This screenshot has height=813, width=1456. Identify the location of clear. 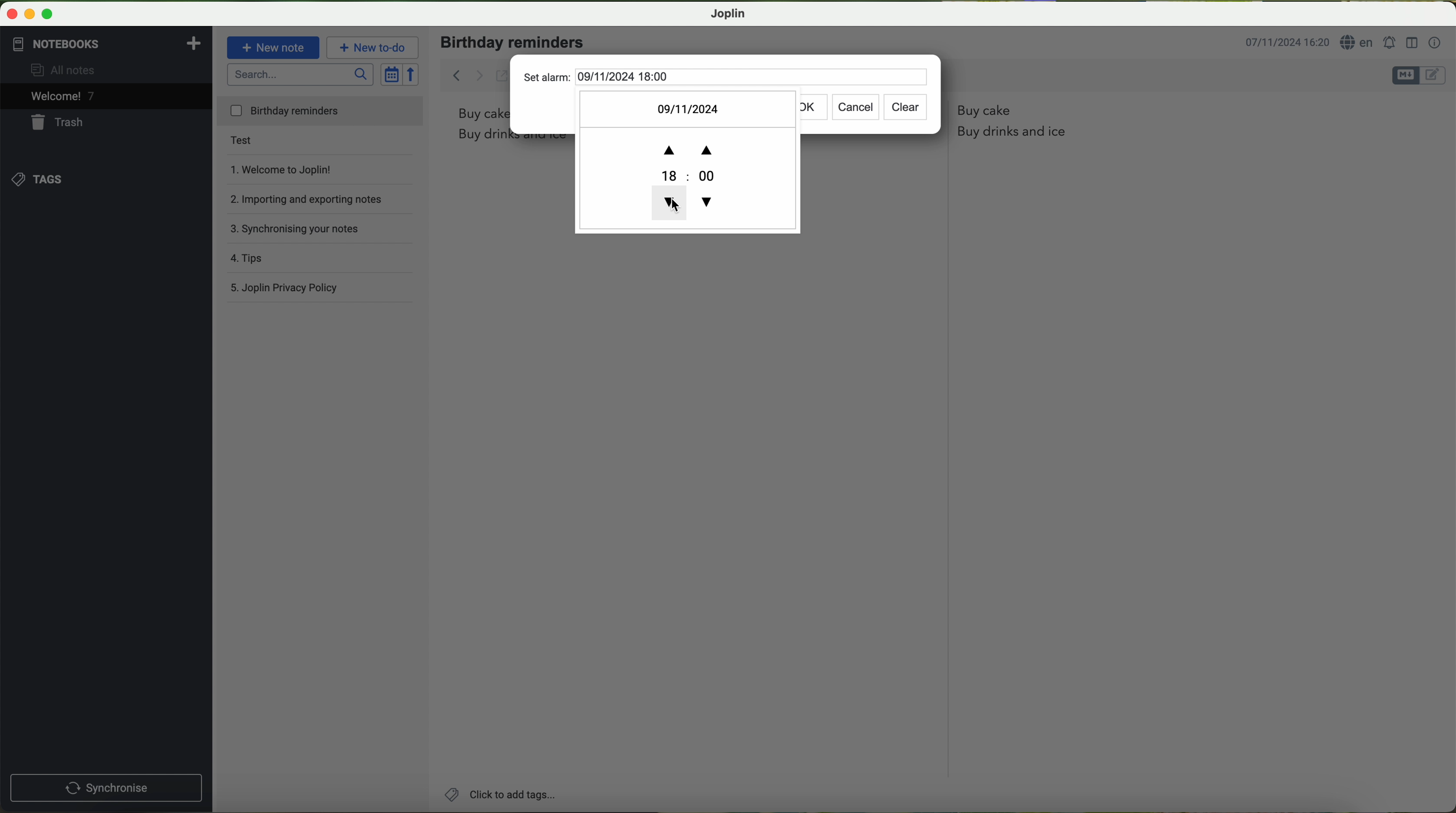
(909, 104).